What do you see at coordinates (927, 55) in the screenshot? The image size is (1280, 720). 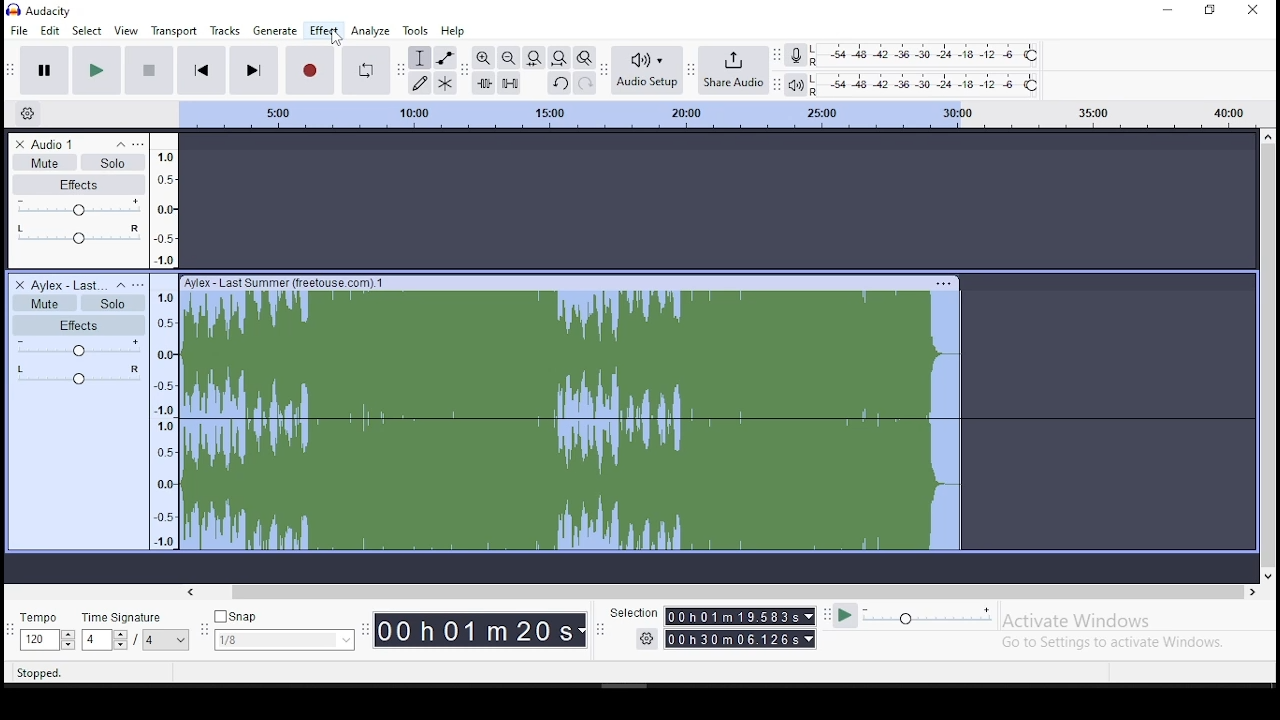 I see `recording level` at bounding box center [927, 55].